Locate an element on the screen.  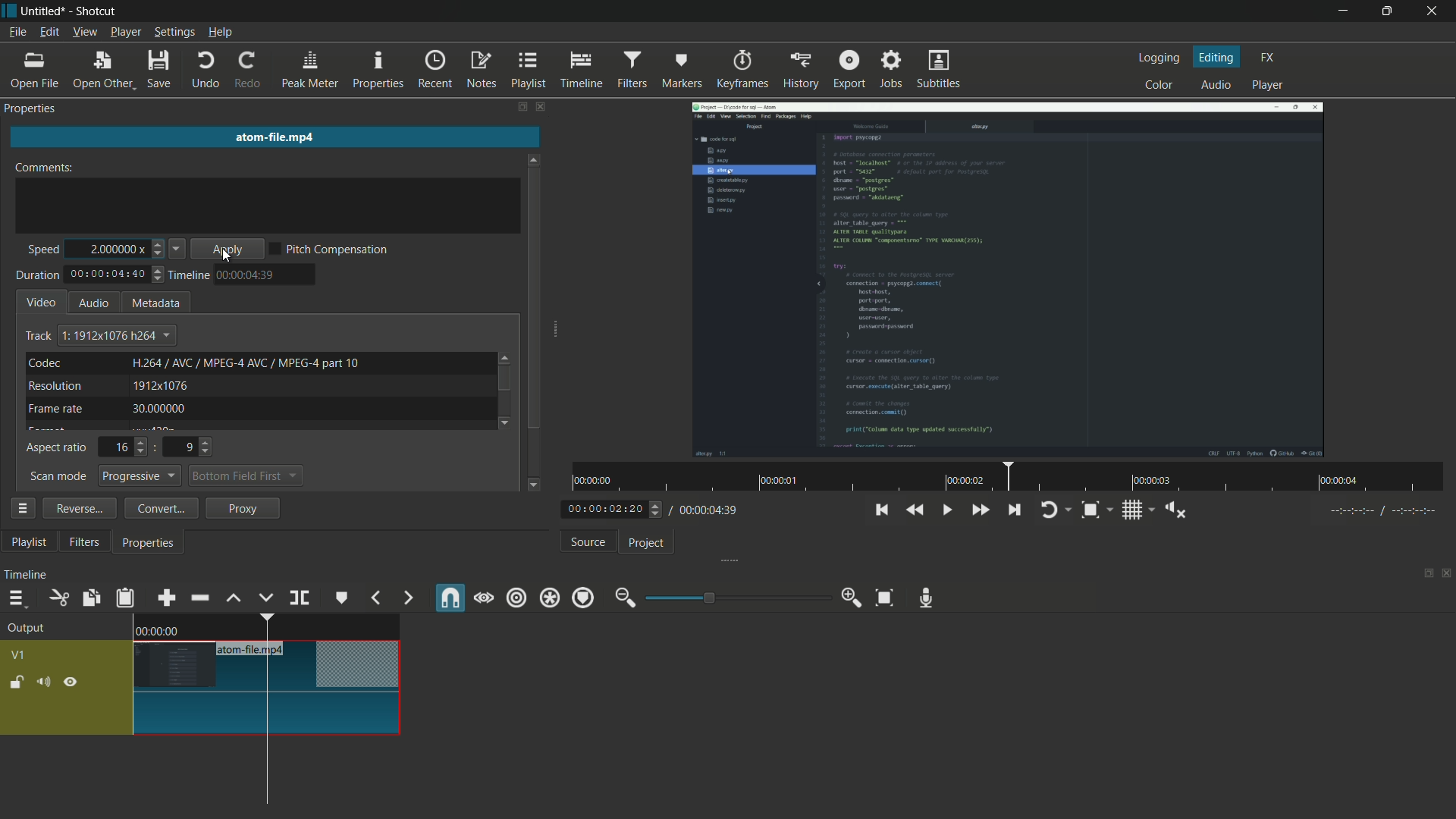
total time is located at coordinates (708, 510).